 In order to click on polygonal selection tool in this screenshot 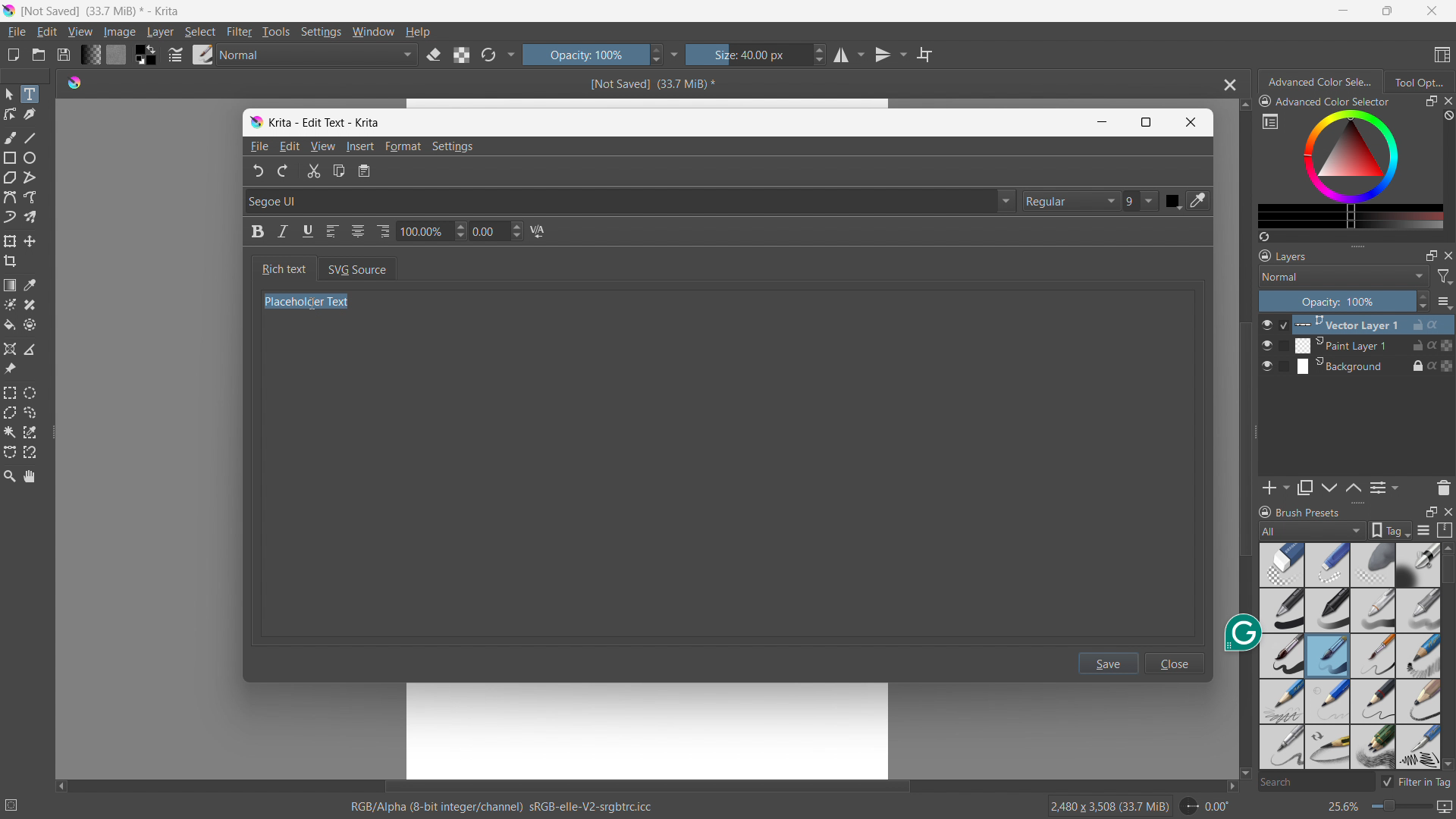, I will do `click(10, 413)`.